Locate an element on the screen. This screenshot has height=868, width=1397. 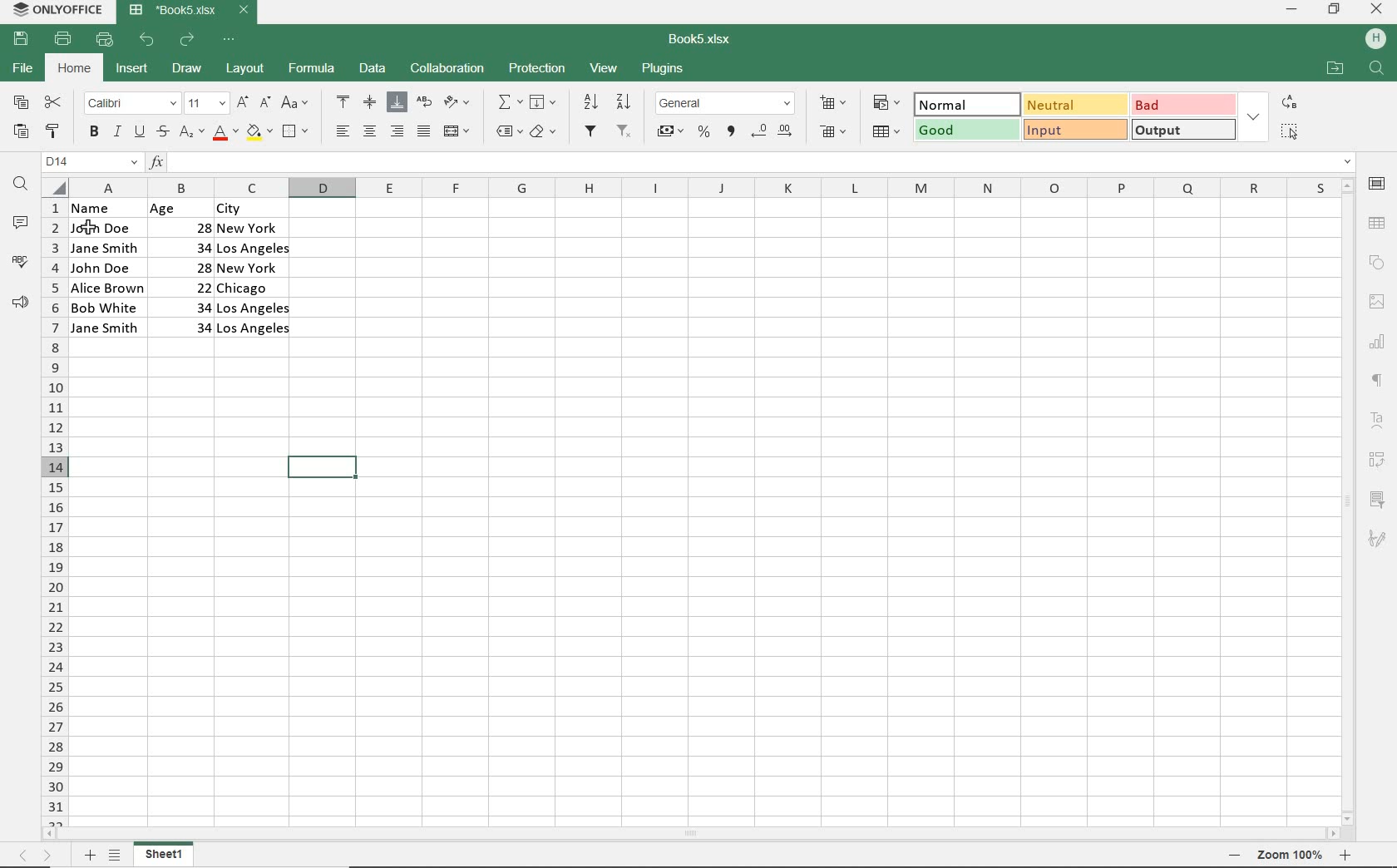
FILE is located at coordinates (21, 69).